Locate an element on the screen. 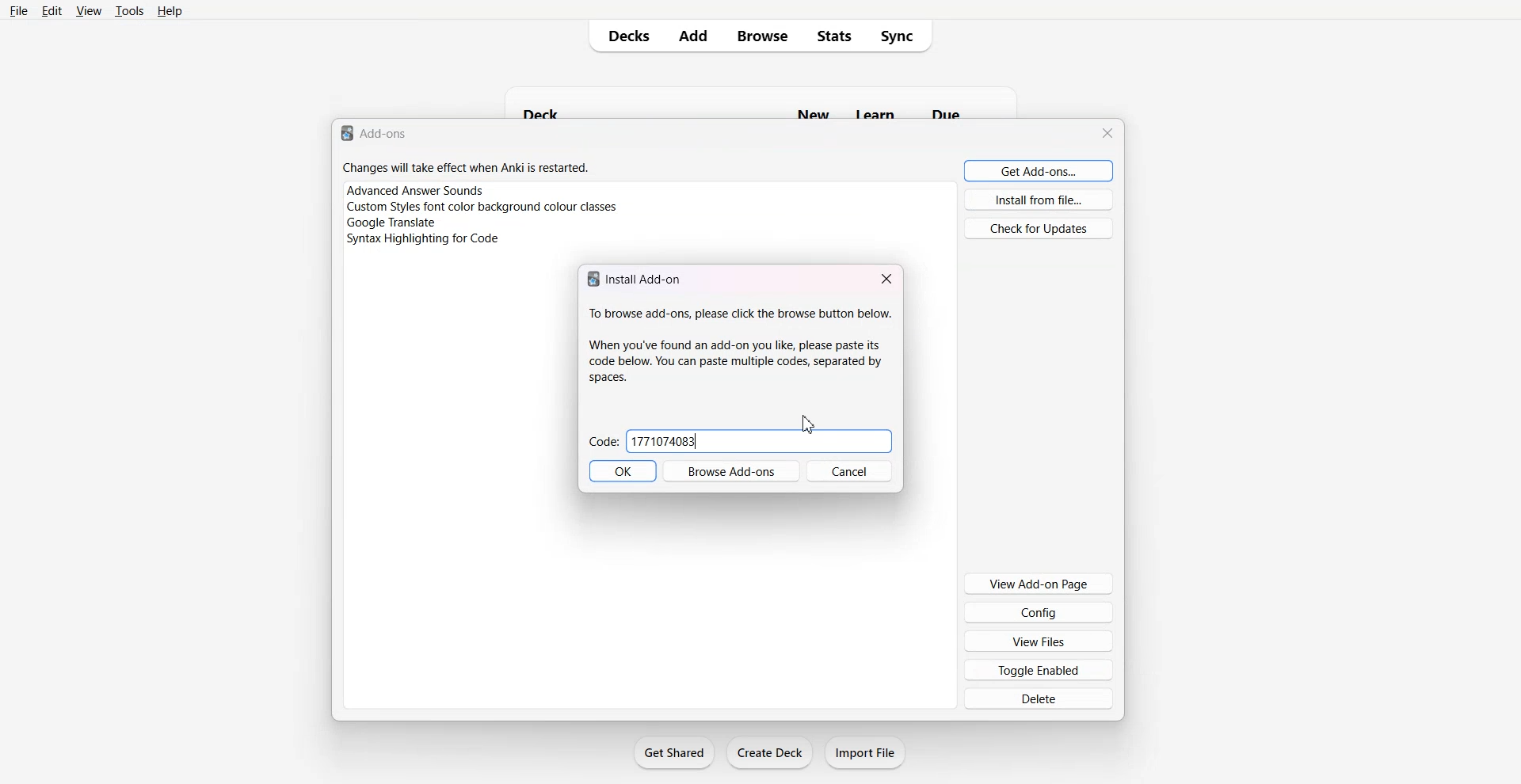 This screenshot has height=784, width=1521. Delete is located at coordinates (1037, 699).